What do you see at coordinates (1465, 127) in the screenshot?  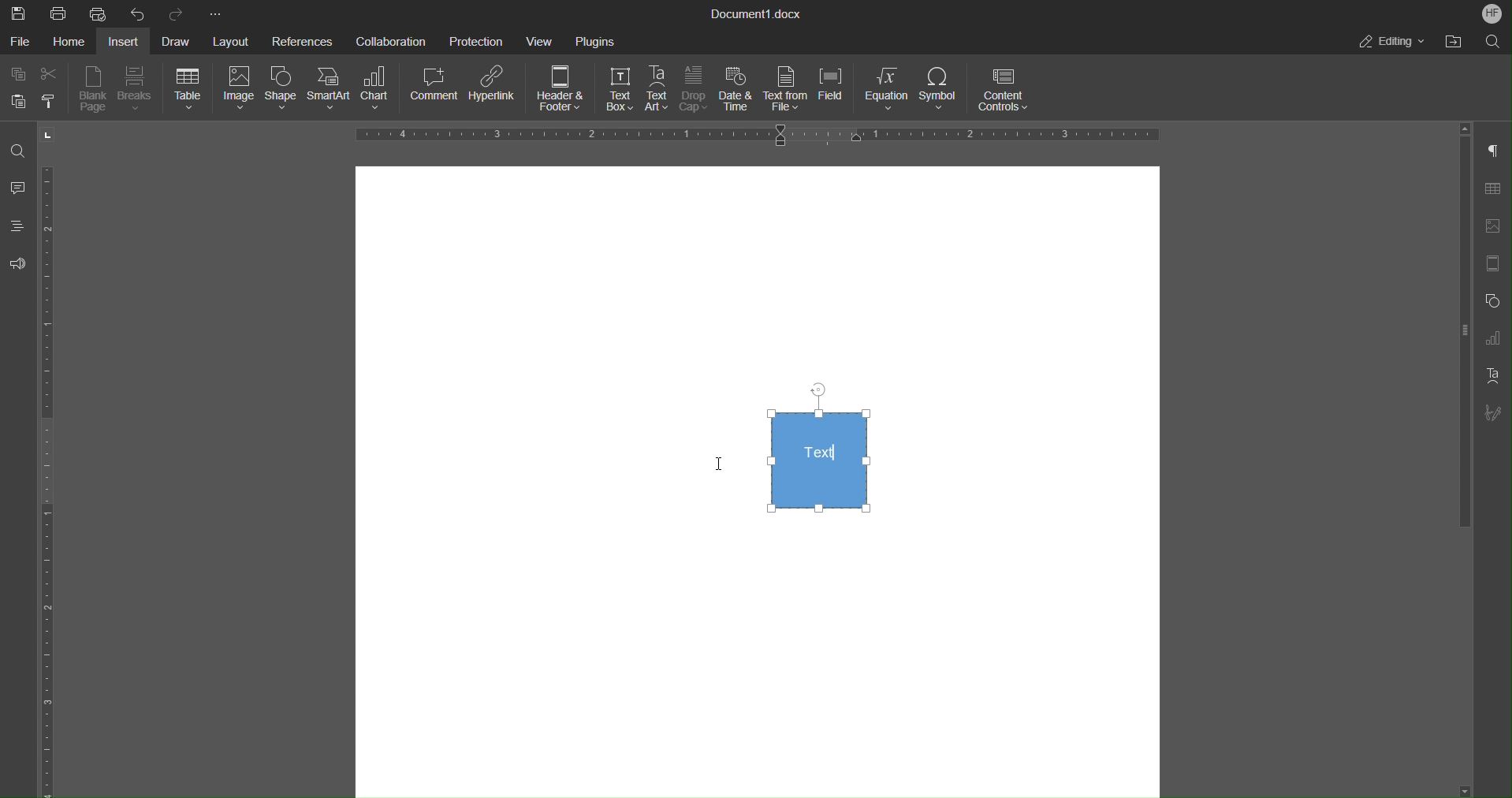 I see `Scroll up` at bounding box center [1465, 127].